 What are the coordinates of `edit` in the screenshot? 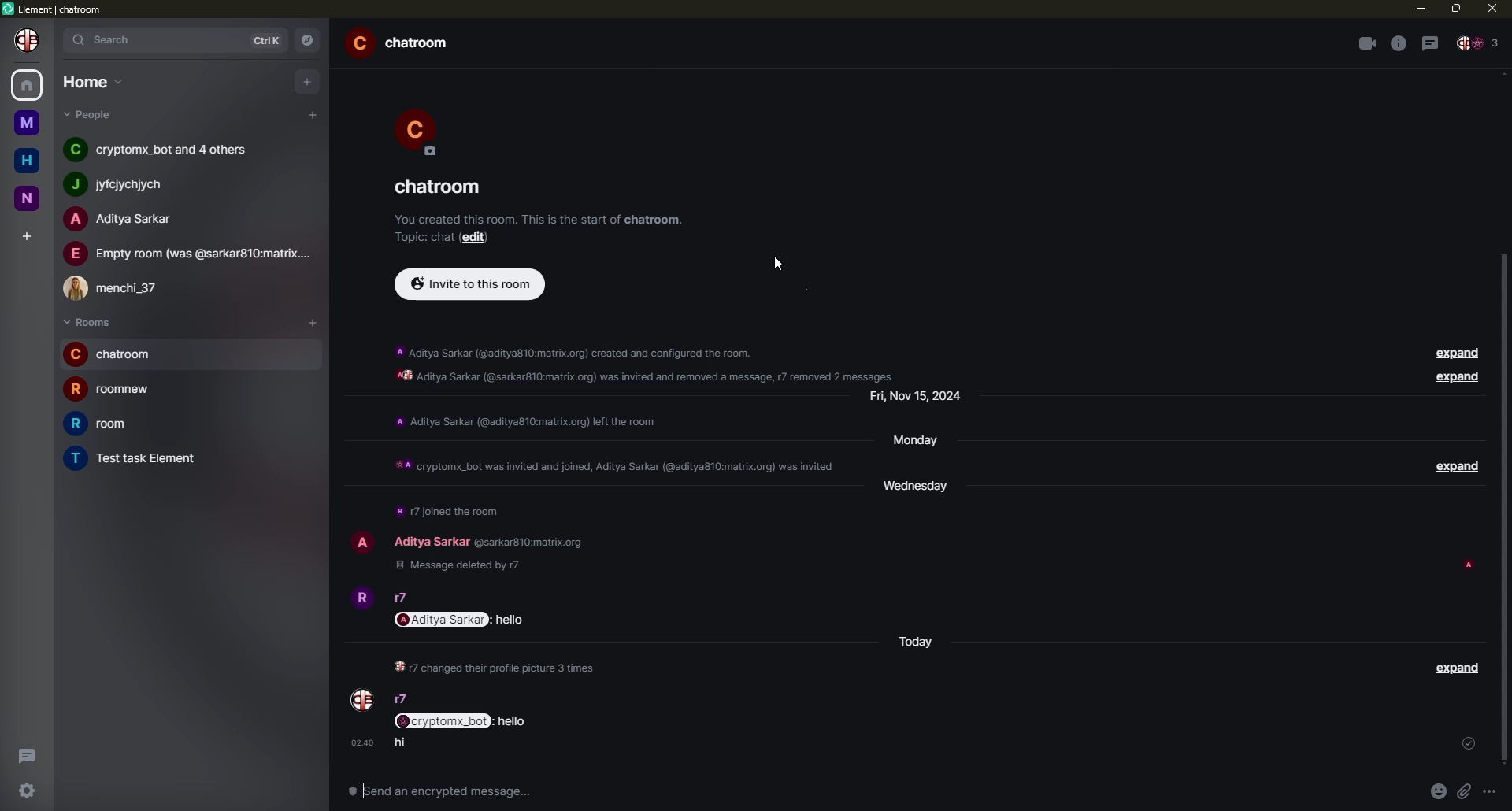 It's located at (479, 239).